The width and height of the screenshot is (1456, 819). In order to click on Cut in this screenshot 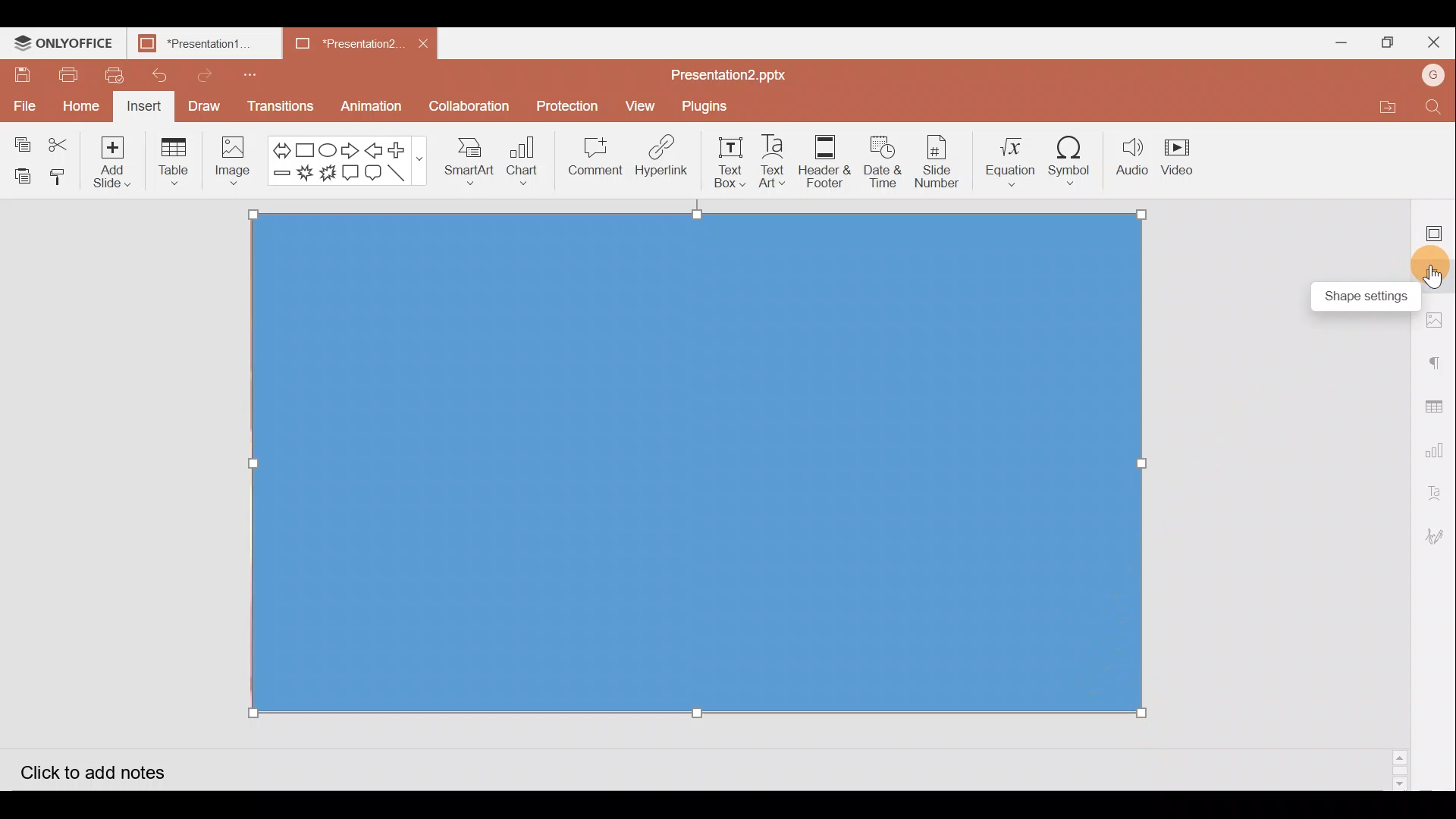, I will do `click(61, 140)`.